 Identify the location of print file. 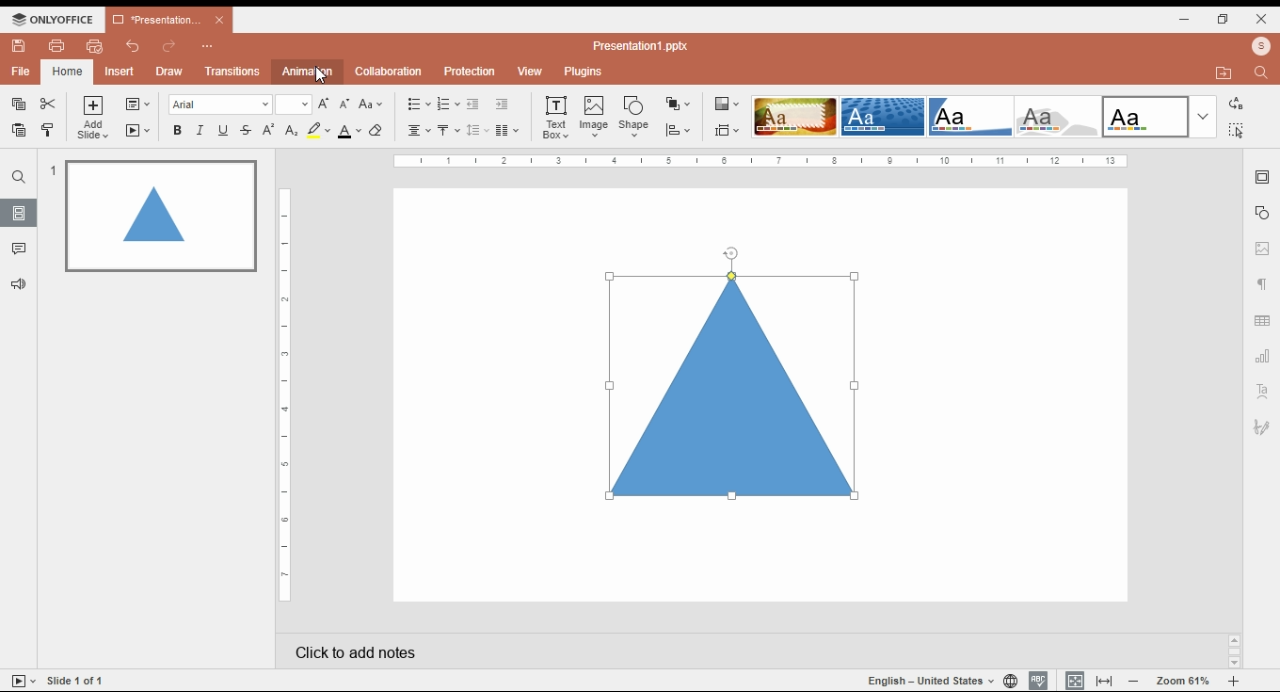
(60, 47).